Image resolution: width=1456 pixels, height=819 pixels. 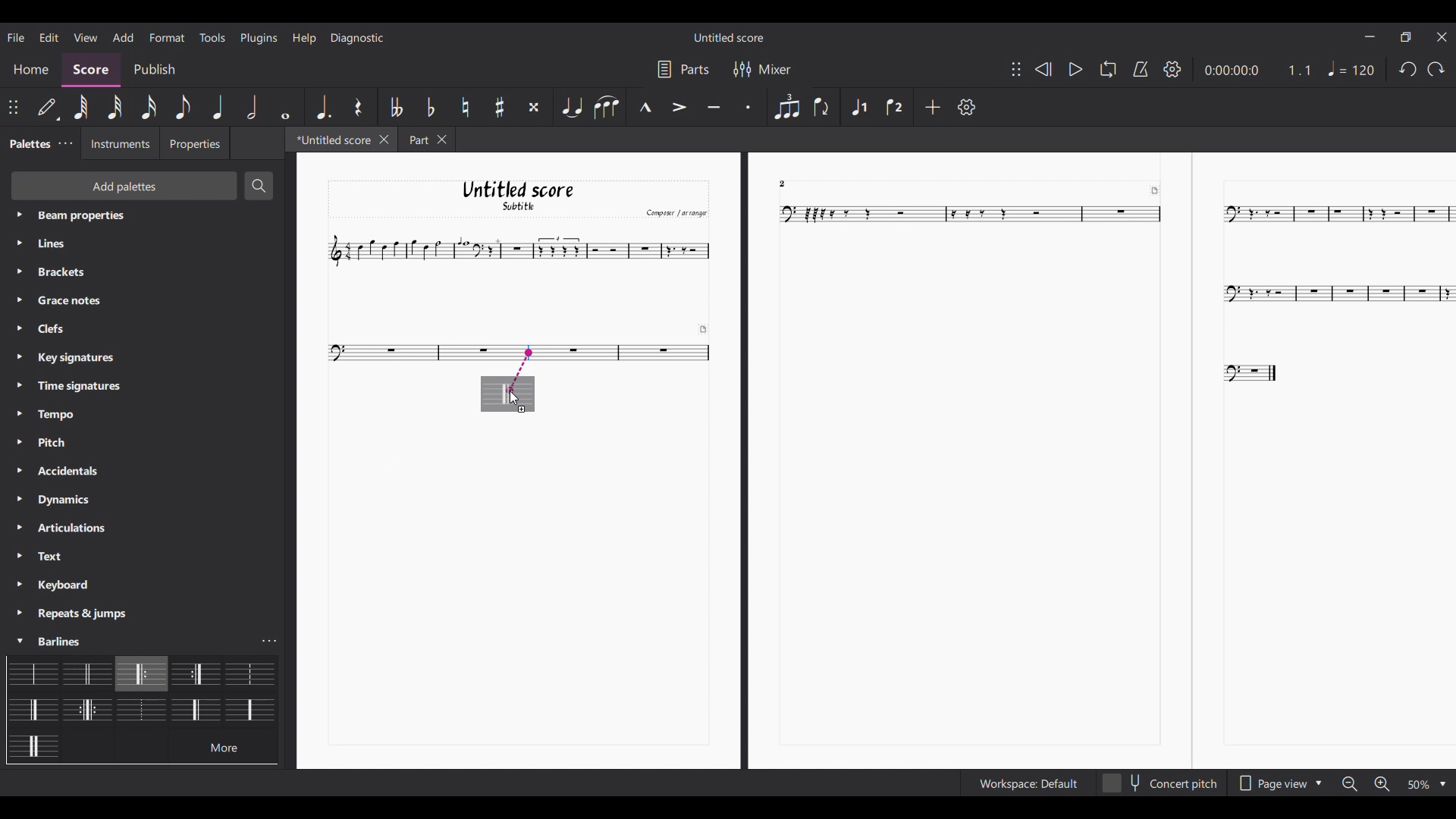 I want to click on Rewind, so click(x=1043, y=70).